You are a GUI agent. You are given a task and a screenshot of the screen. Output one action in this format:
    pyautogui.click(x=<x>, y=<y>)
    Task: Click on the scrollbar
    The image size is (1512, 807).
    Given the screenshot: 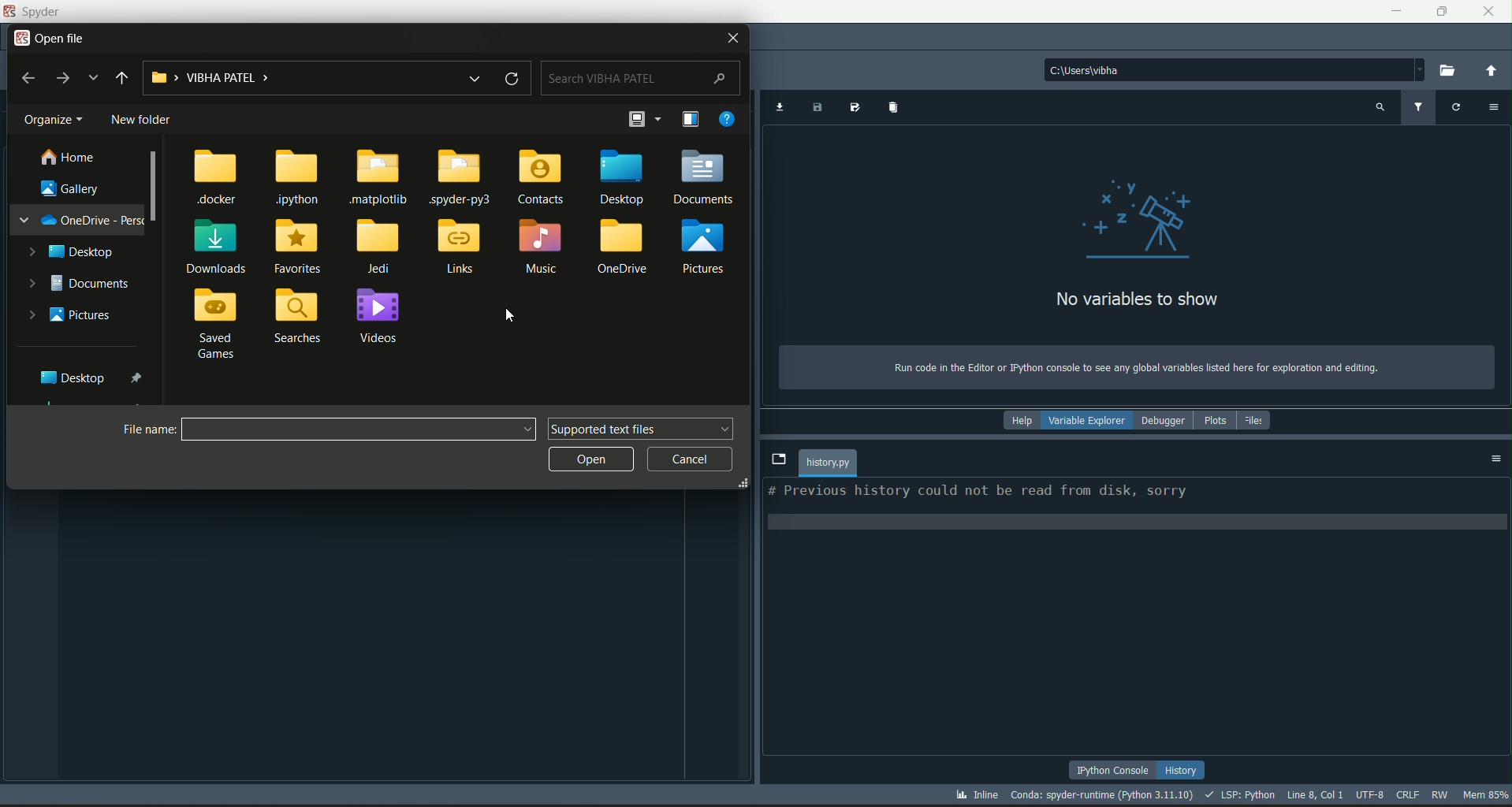 What is the action you would take?
    pyautogui.click(x=155, y=188)
    